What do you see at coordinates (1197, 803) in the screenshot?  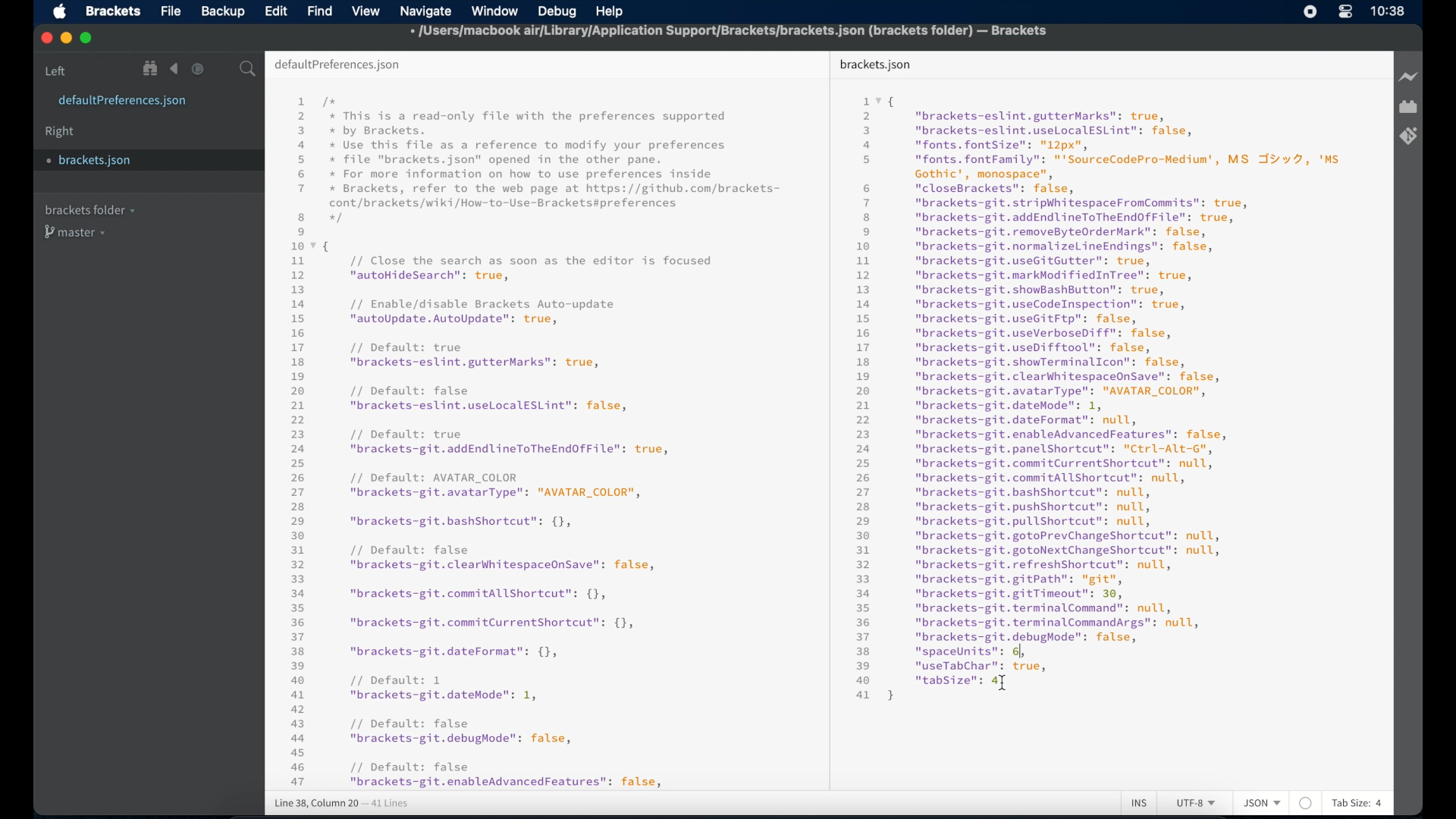 I see `utf-8` at bounding box center [1197, 803].